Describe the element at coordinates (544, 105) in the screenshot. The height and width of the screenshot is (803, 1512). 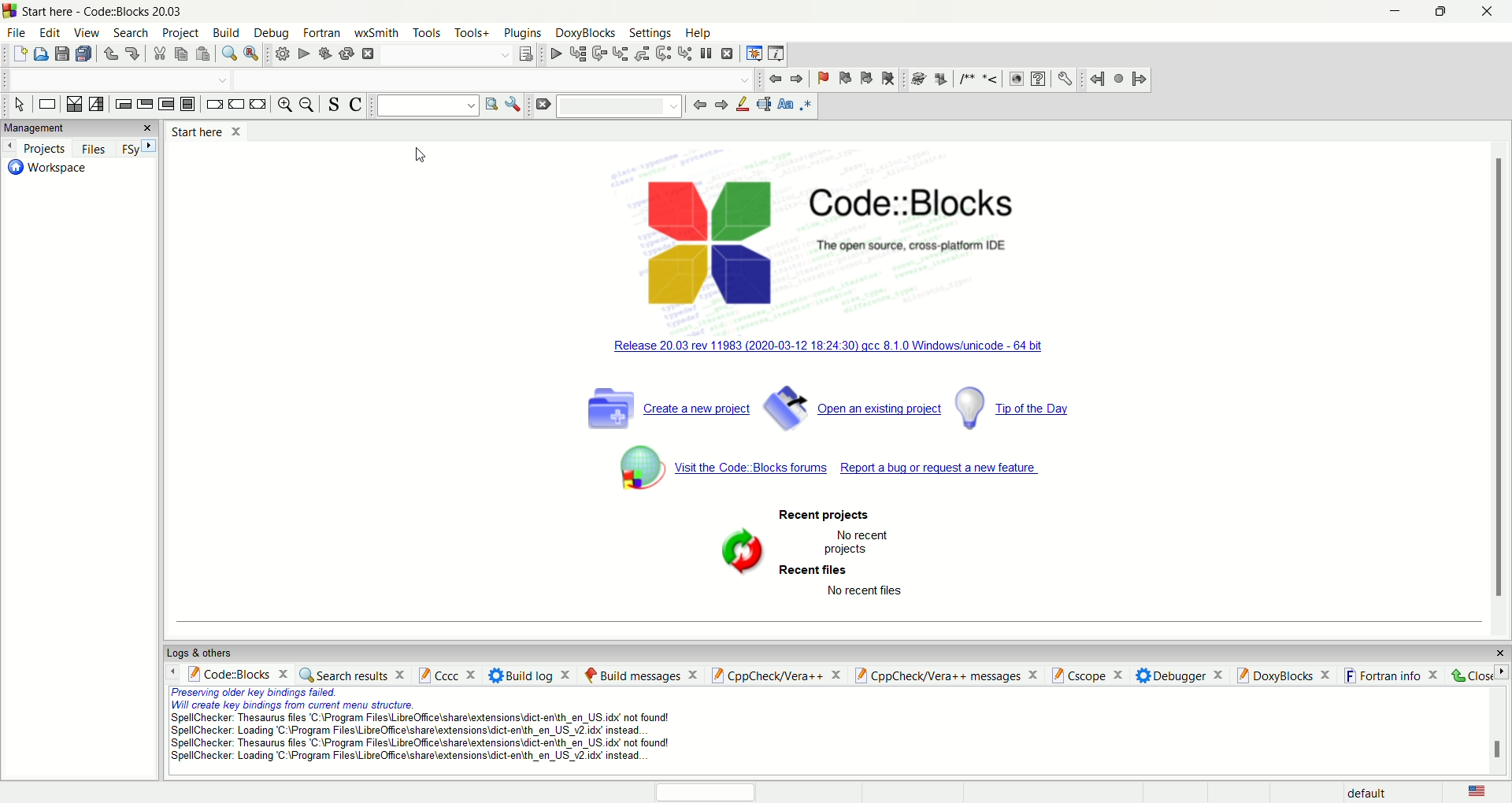
I see `clear` at that location.